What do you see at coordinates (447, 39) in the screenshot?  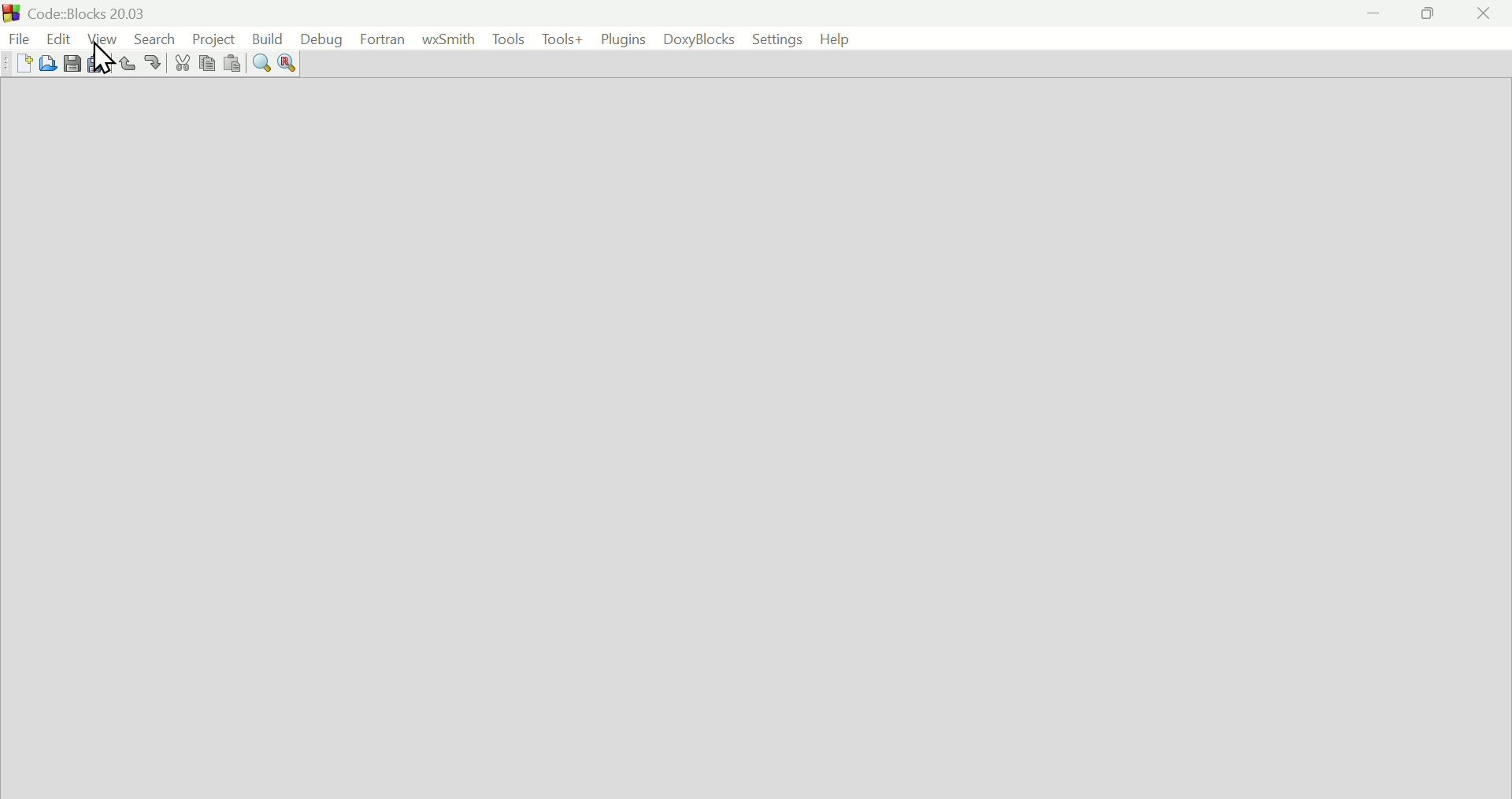 I see `WxSmith` at bounding box center [447, 39].